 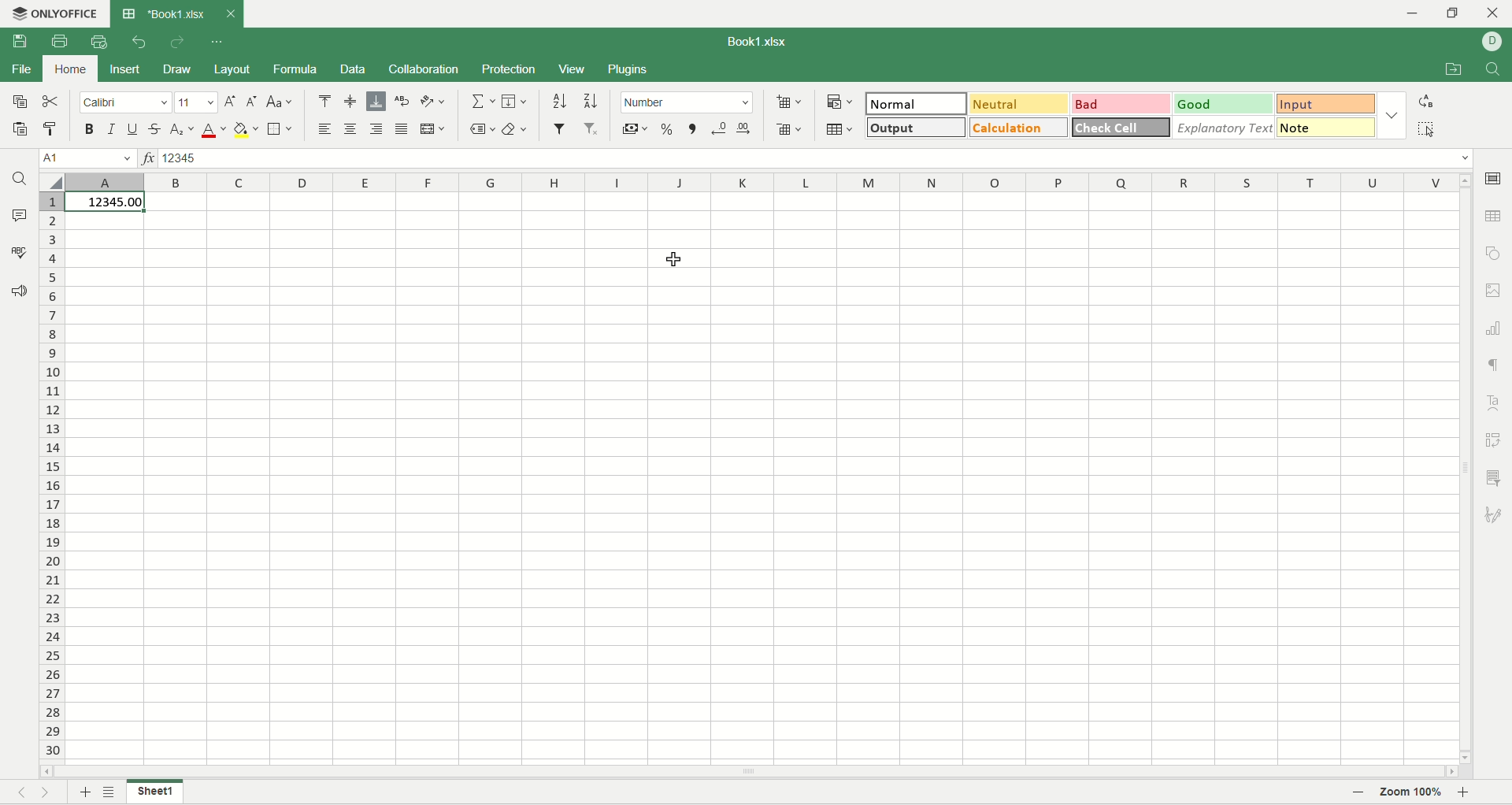 What do you see at coordinates (26, 43) in the screenshot?
I see `save` at bounding box center [26, 43].